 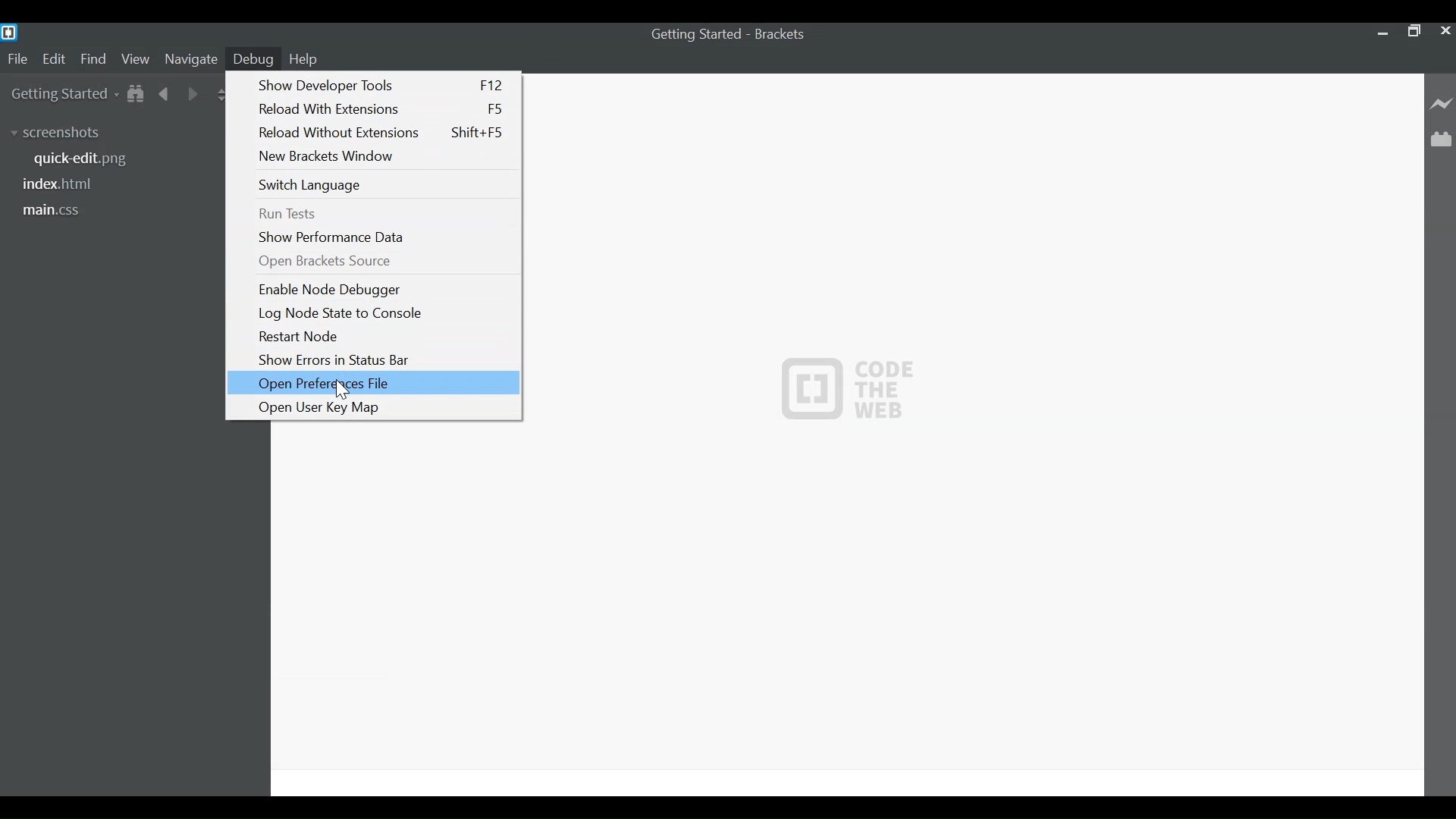 What do you see at coordinates (89, 159) in the screenshot?
I see `quickedit.png` at bounding box center [89, 159].